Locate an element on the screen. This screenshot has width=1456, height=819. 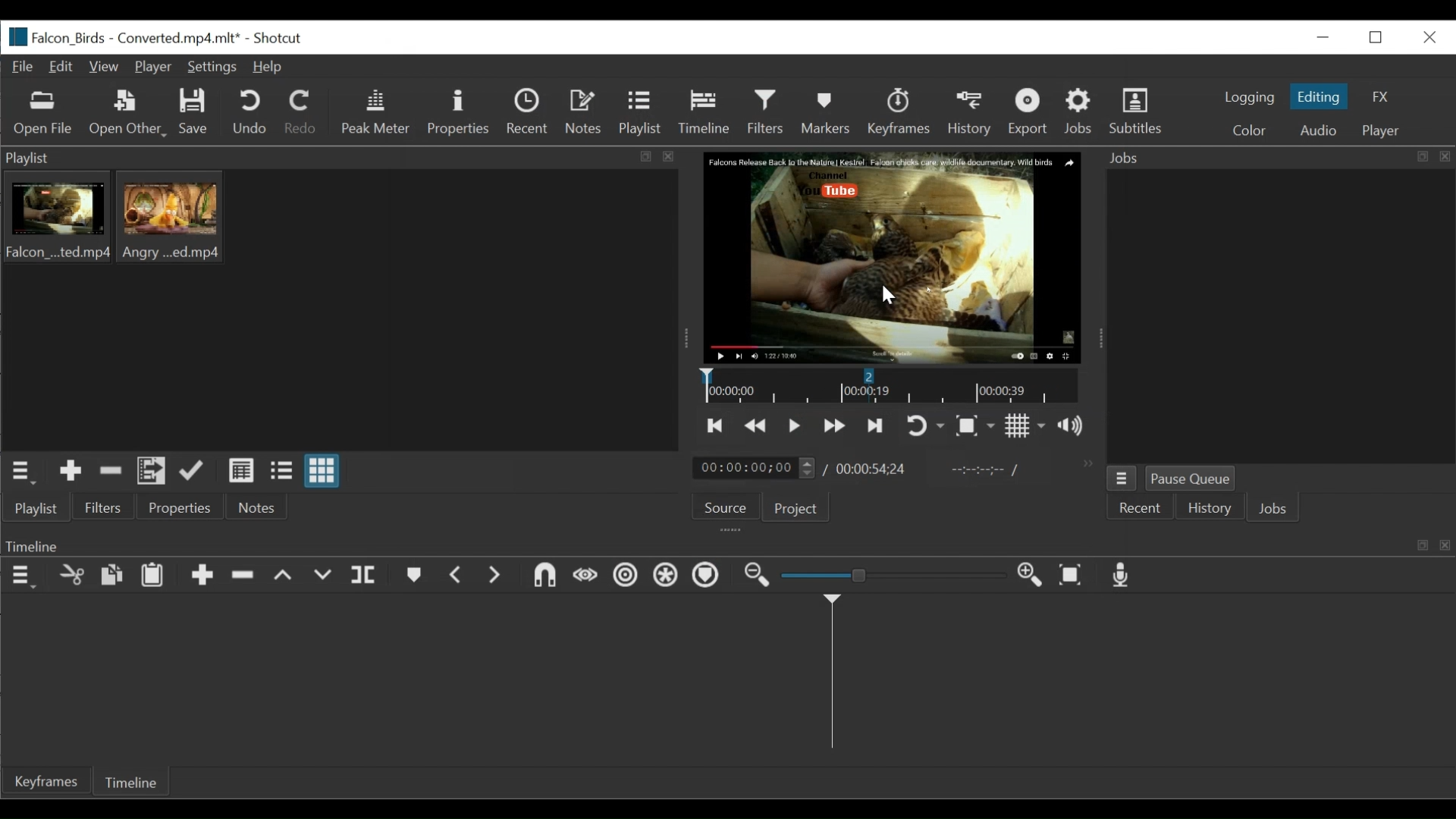
History is located at coordinates (1212, 510).